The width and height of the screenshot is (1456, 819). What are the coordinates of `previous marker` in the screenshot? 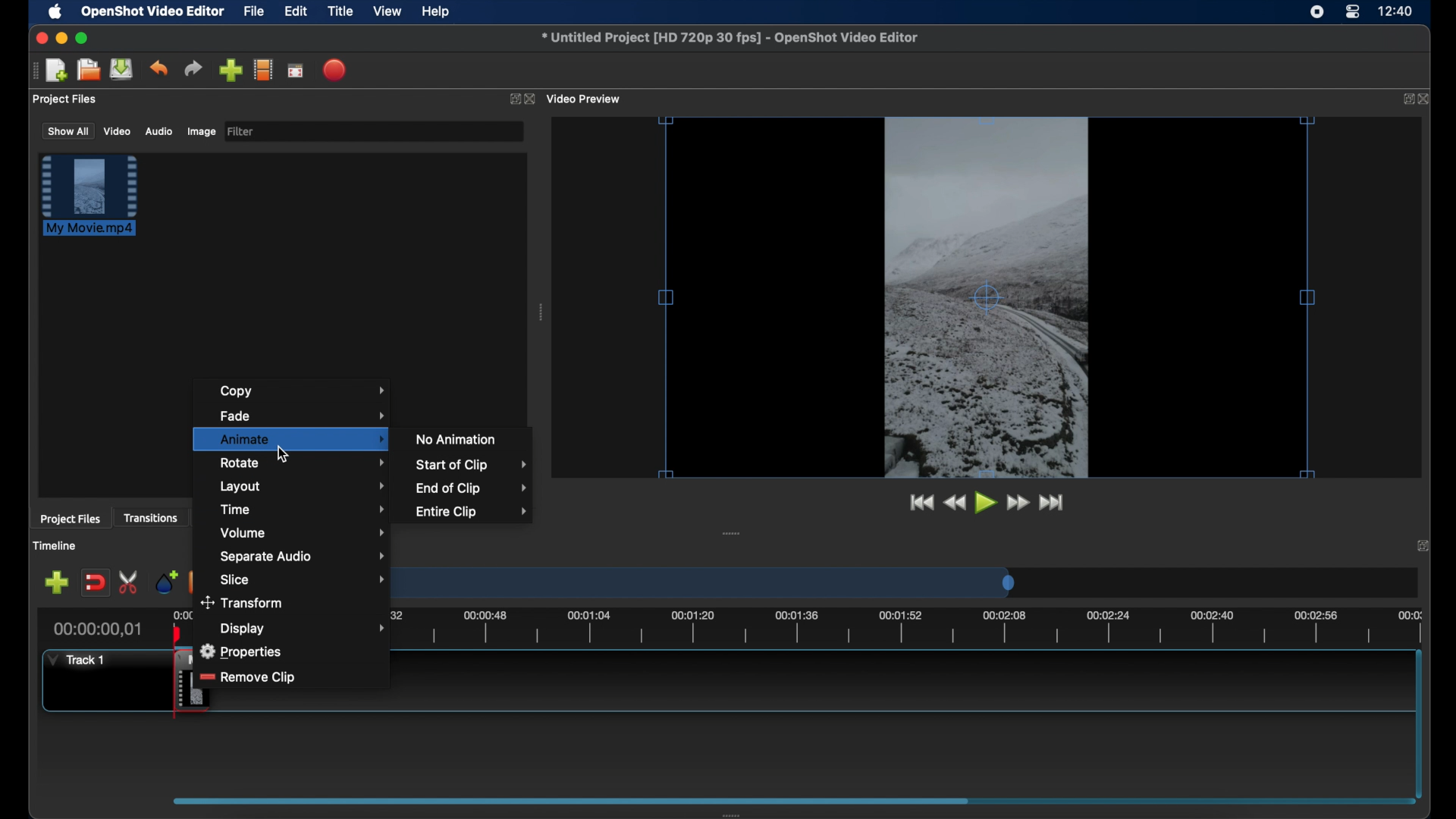 It's located at (193, 579).